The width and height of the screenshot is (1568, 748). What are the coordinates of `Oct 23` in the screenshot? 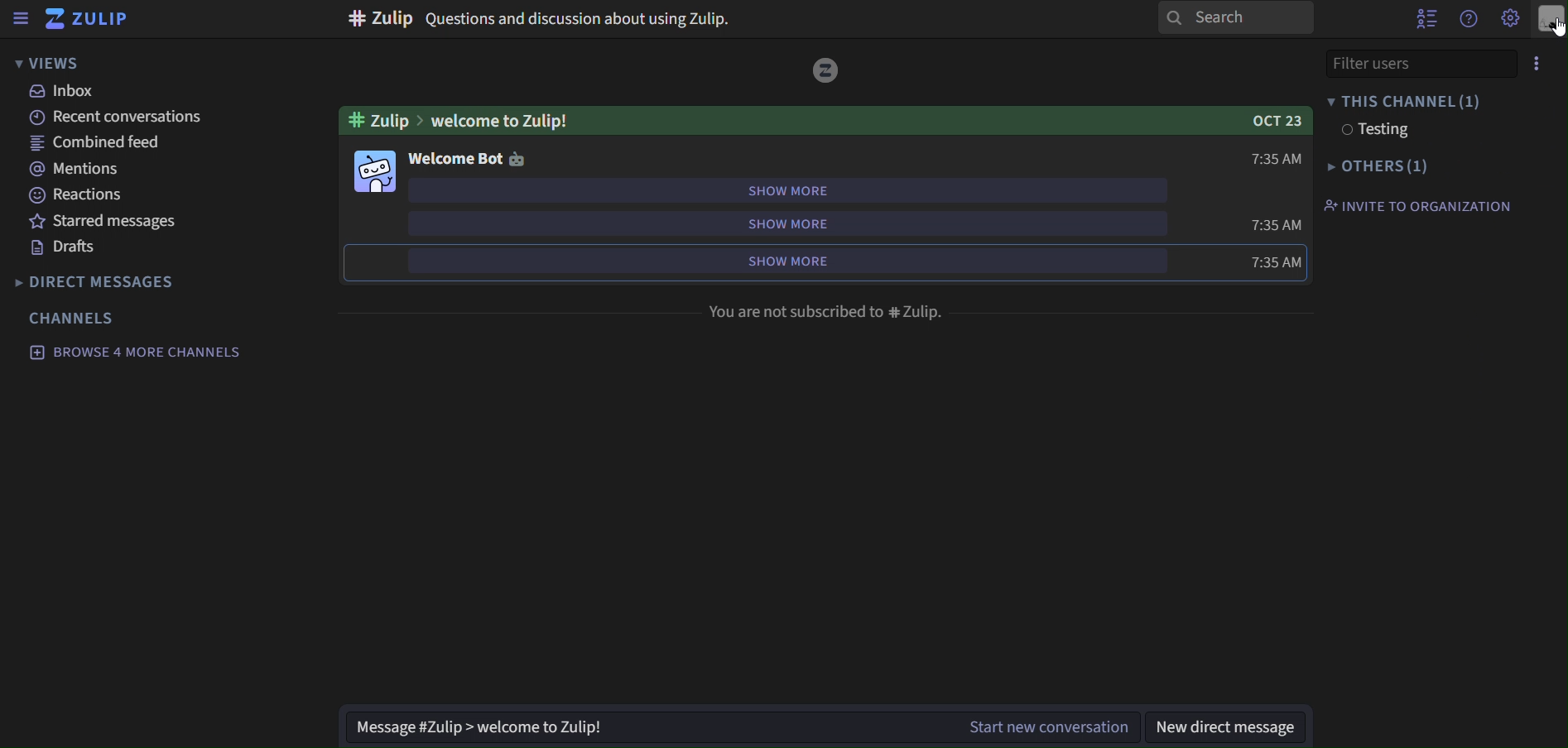 It's located at (1275, 122).